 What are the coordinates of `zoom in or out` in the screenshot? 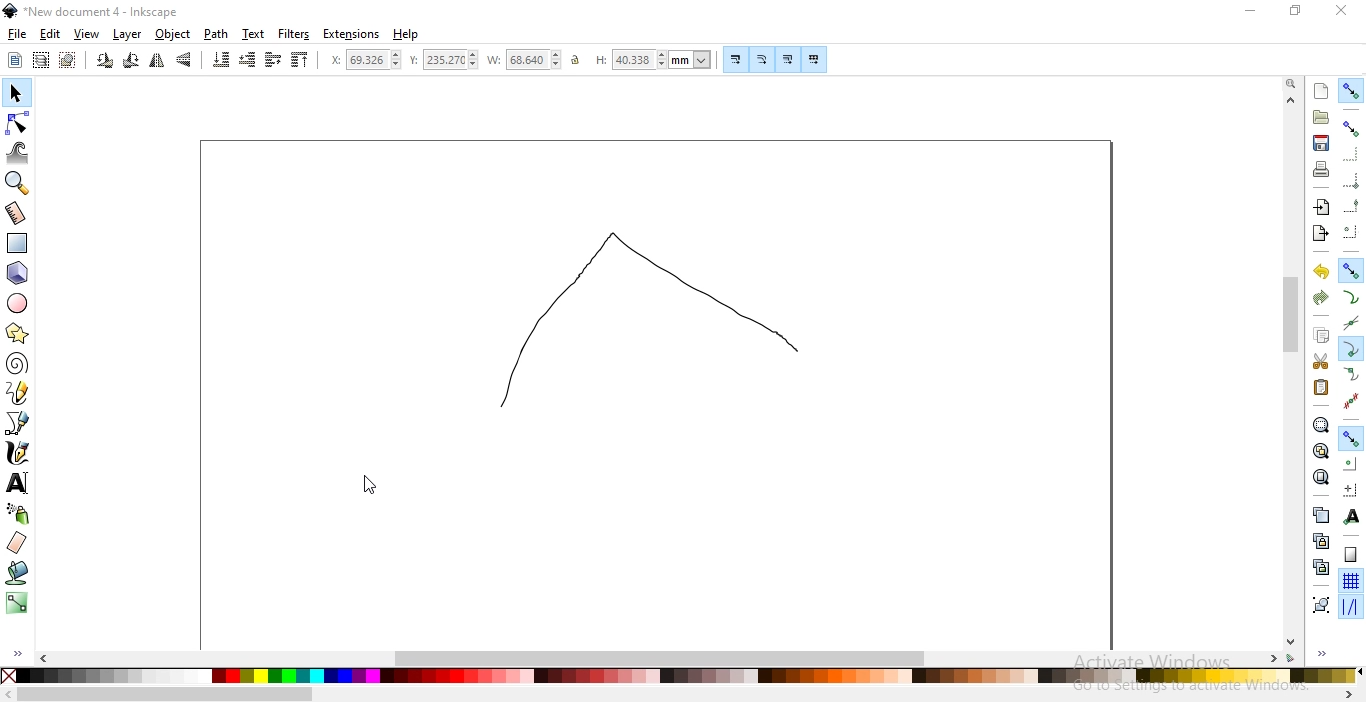 It's located at (15, 183).